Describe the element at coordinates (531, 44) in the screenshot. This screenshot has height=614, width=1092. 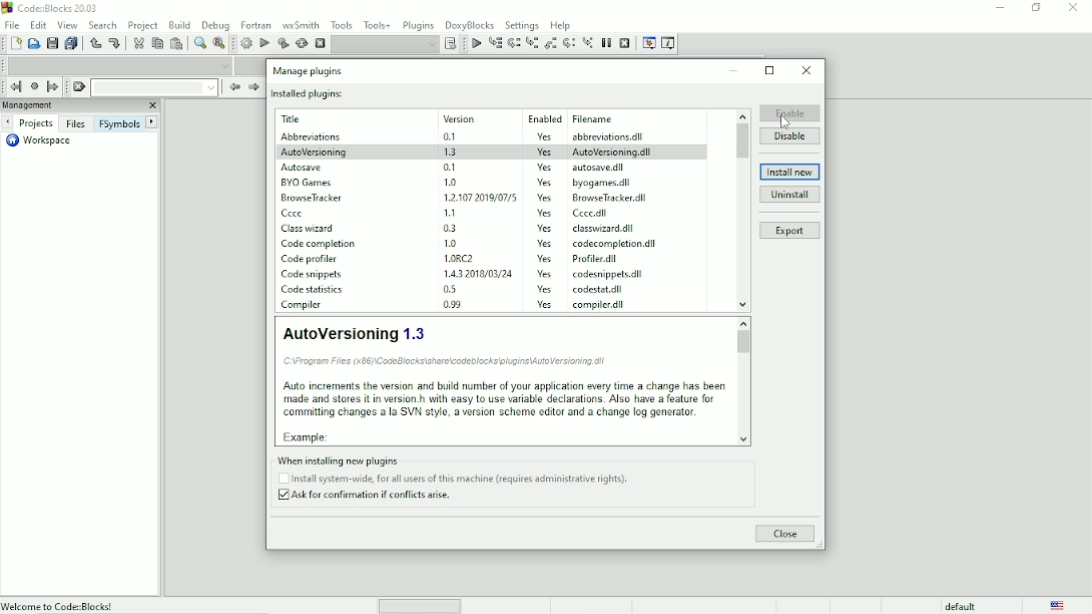
I see `Step into` at that location.